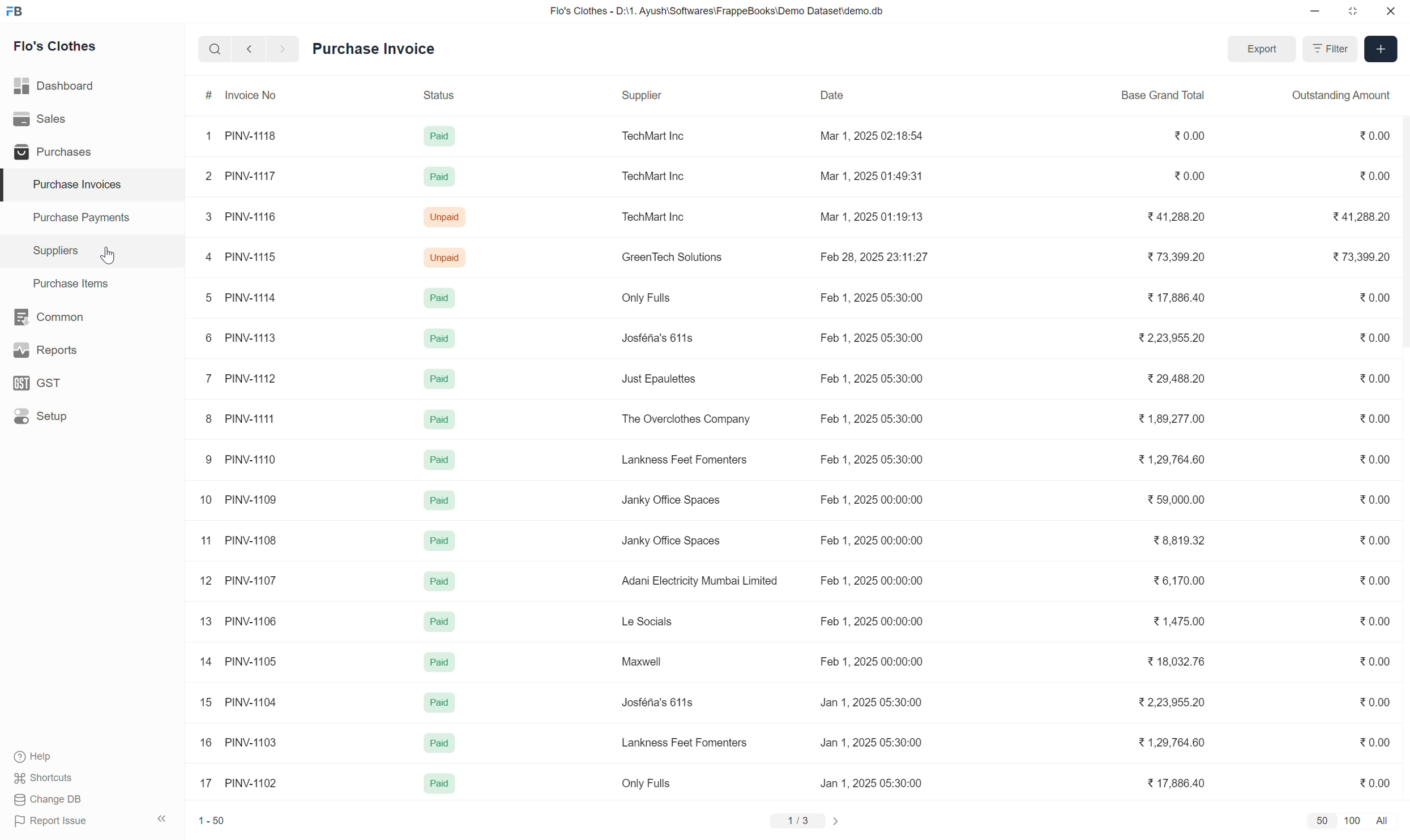 This screenshot has height=840, width=1410. Describe the element at coordinates (438, 417) in the screenshot. I see `Paid` at that location.